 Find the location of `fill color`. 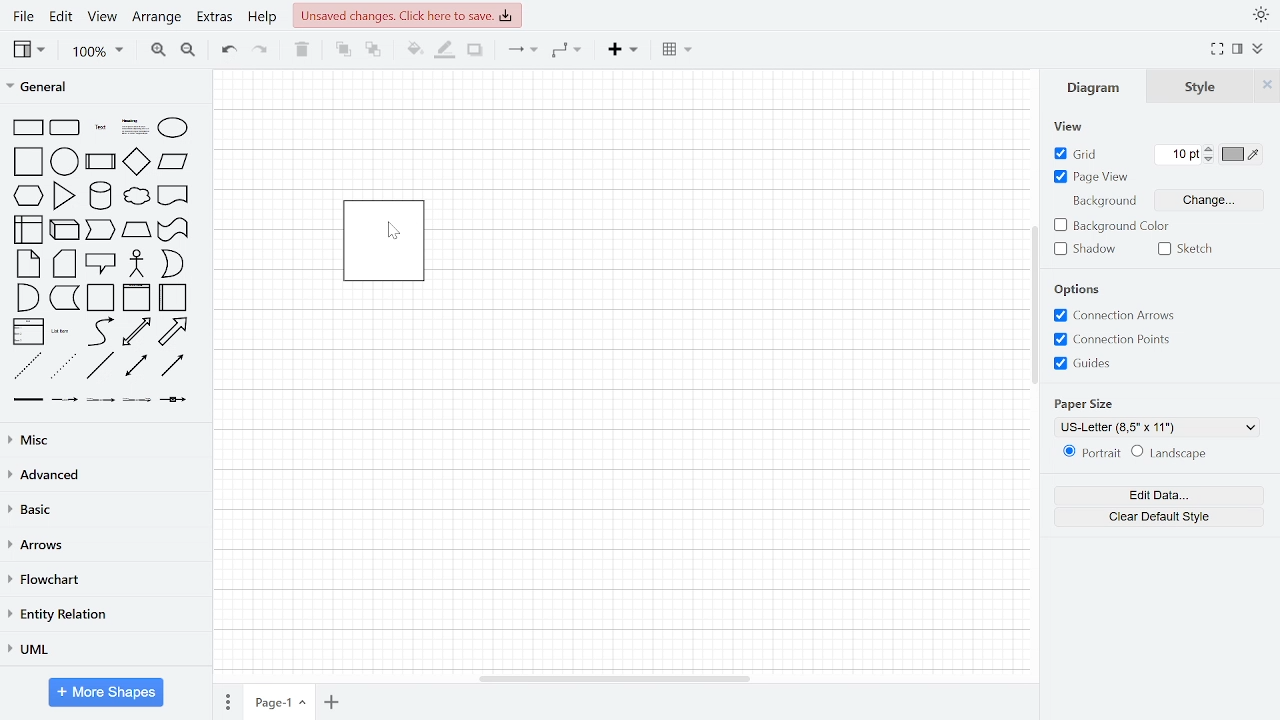

fill color is located at coordinates (412, 48).